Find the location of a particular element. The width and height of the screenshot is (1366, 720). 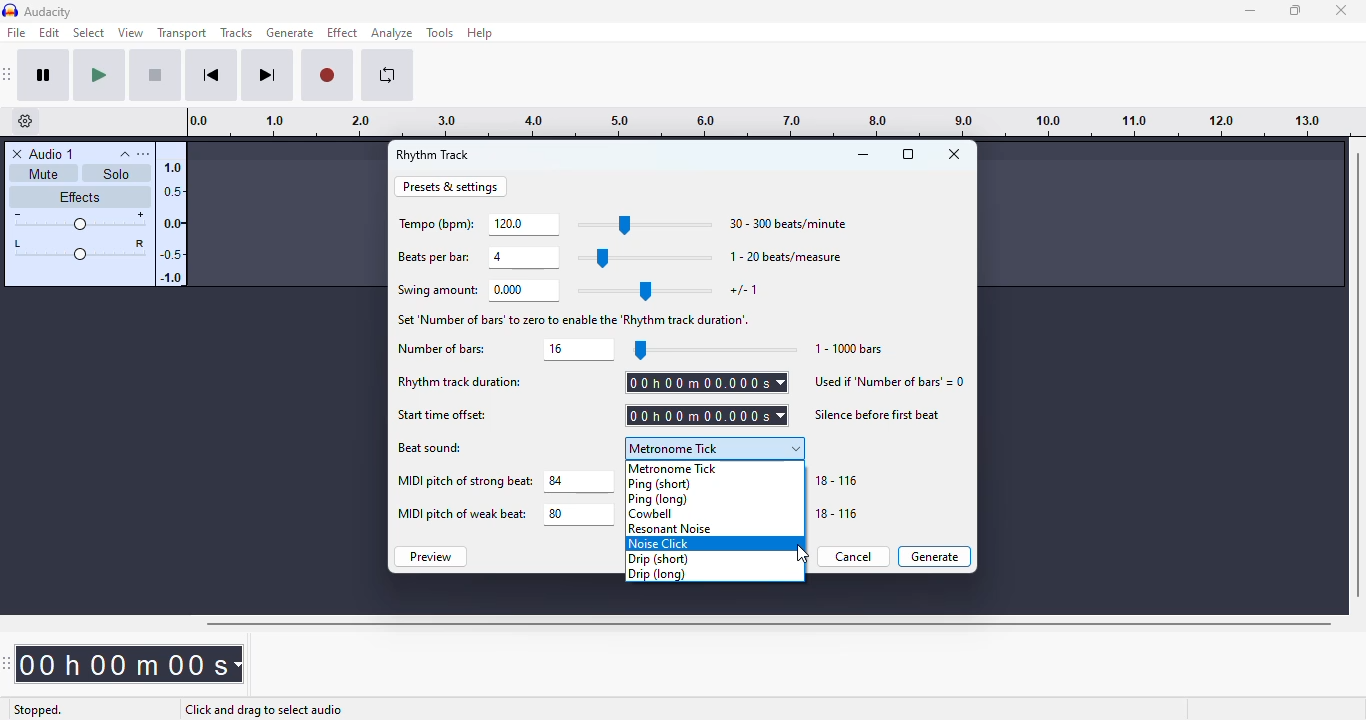

slider is located at coordinates (712, 349).